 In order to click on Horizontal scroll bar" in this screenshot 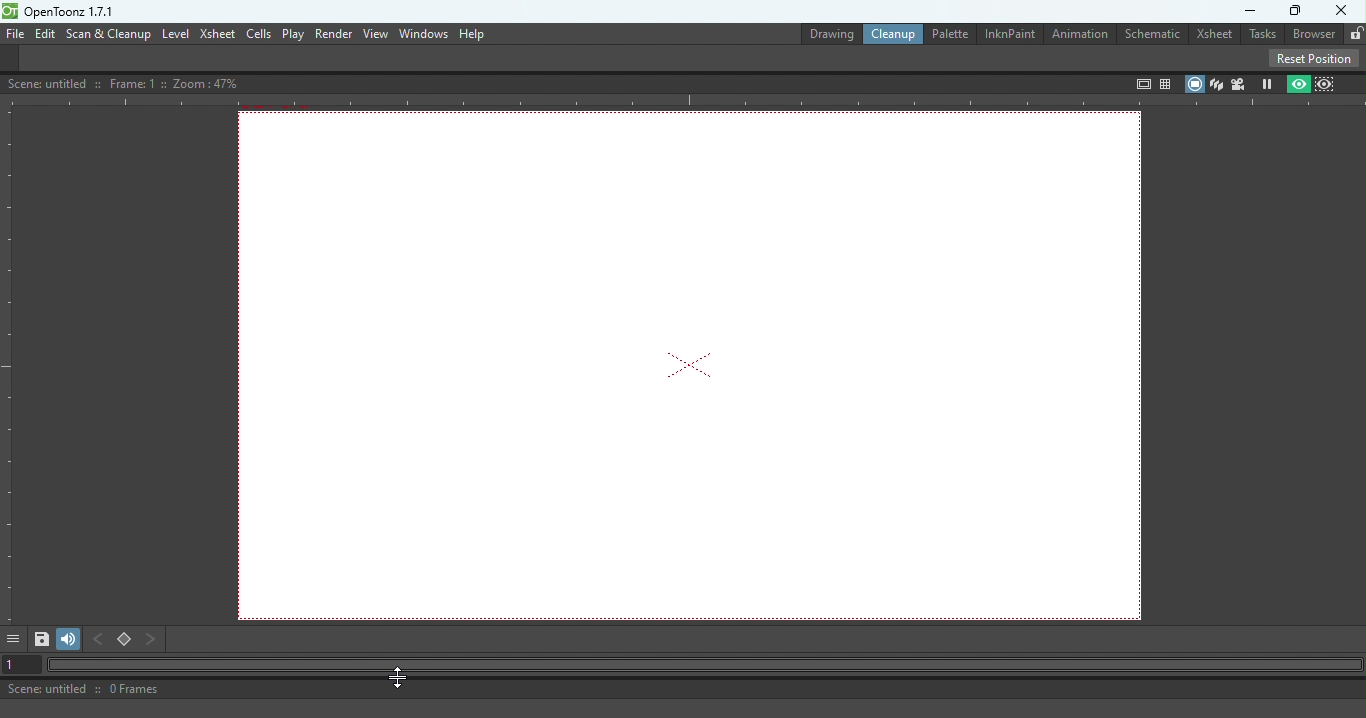, I will do `click(700, 665)`.